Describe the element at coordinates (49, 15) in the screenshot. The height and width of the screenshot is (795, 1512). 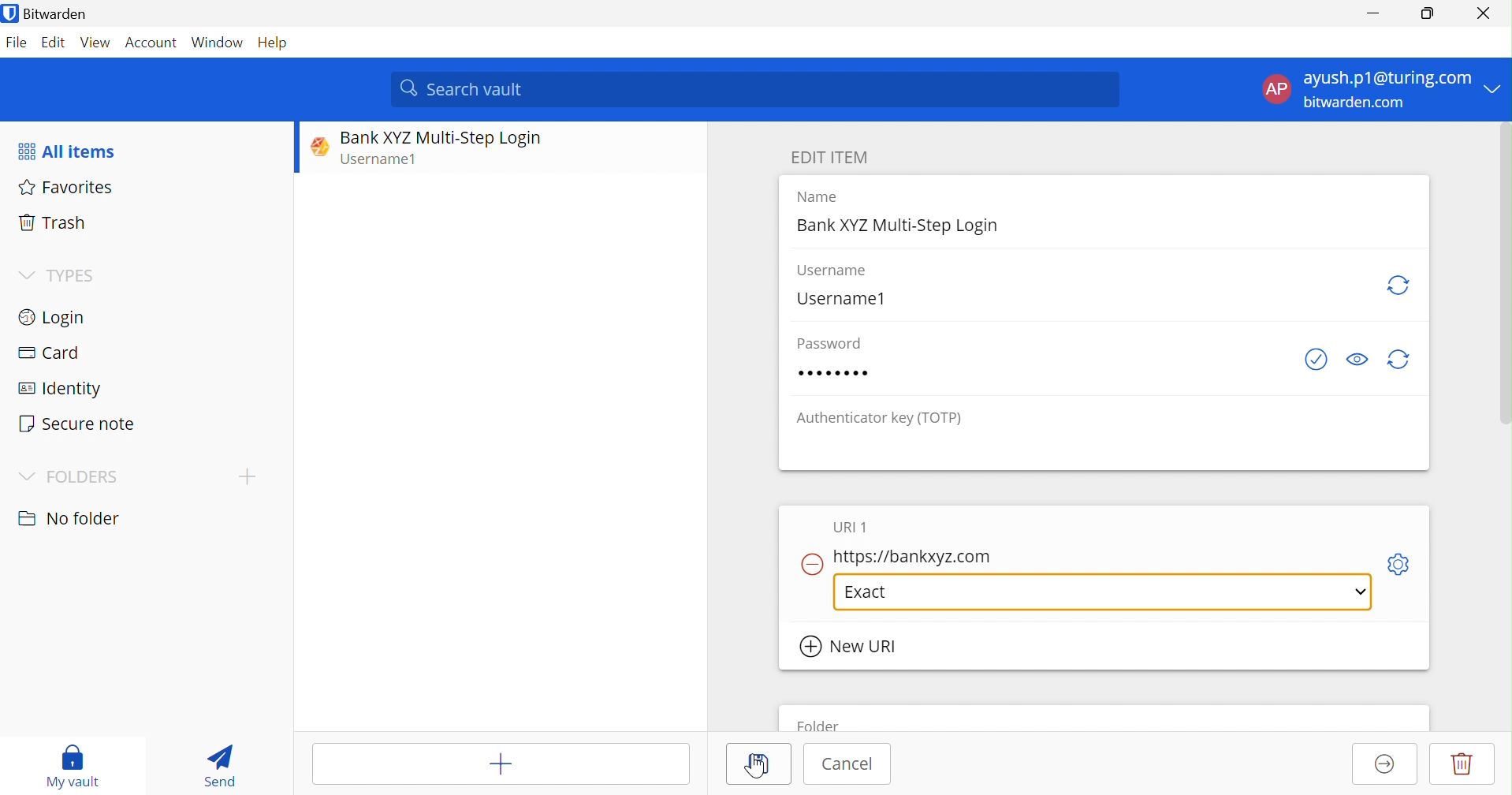
I see `Bitwarden` at that location.